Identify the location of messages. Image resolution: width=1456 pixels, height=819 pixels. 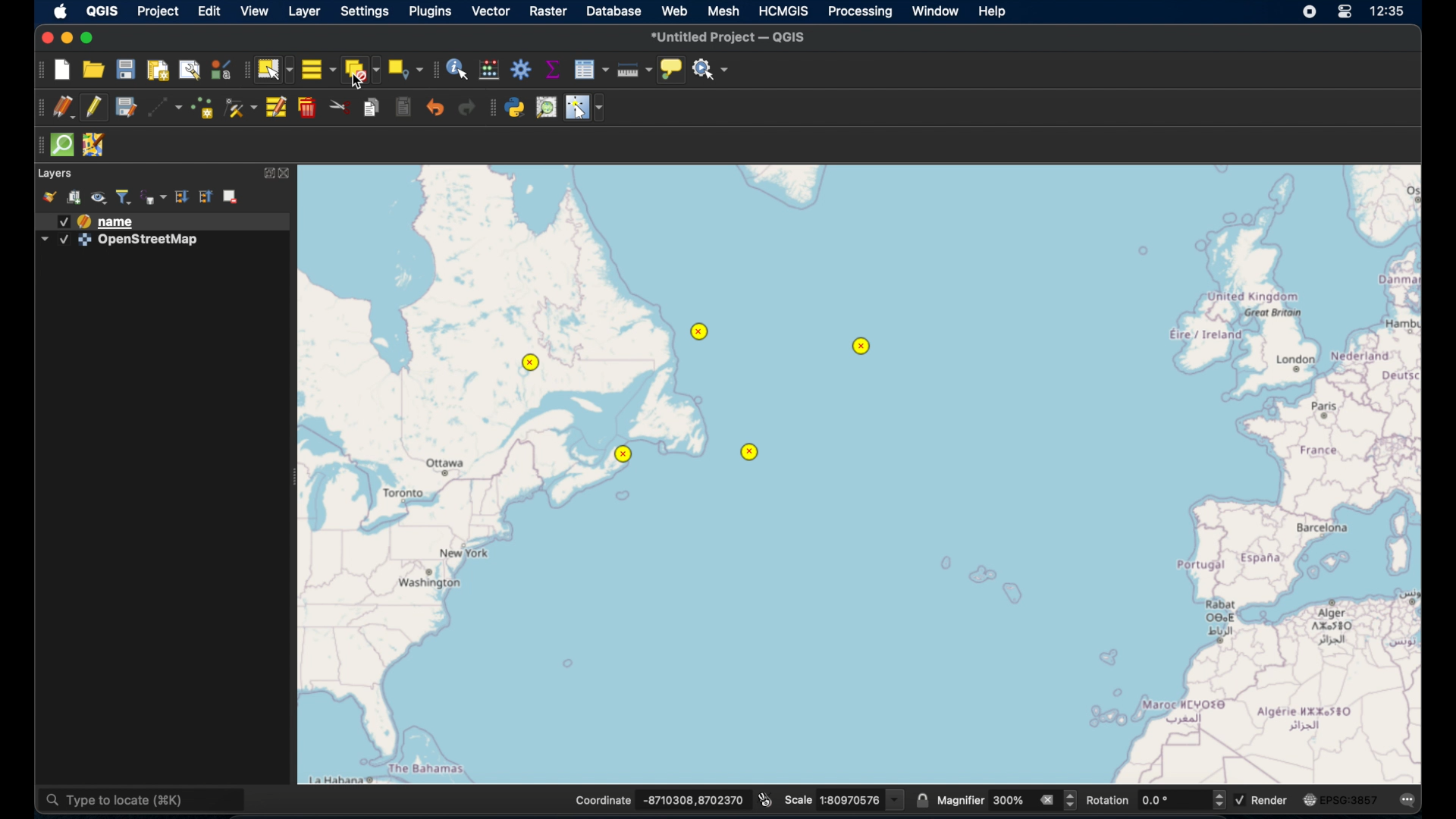
(1410, 801).